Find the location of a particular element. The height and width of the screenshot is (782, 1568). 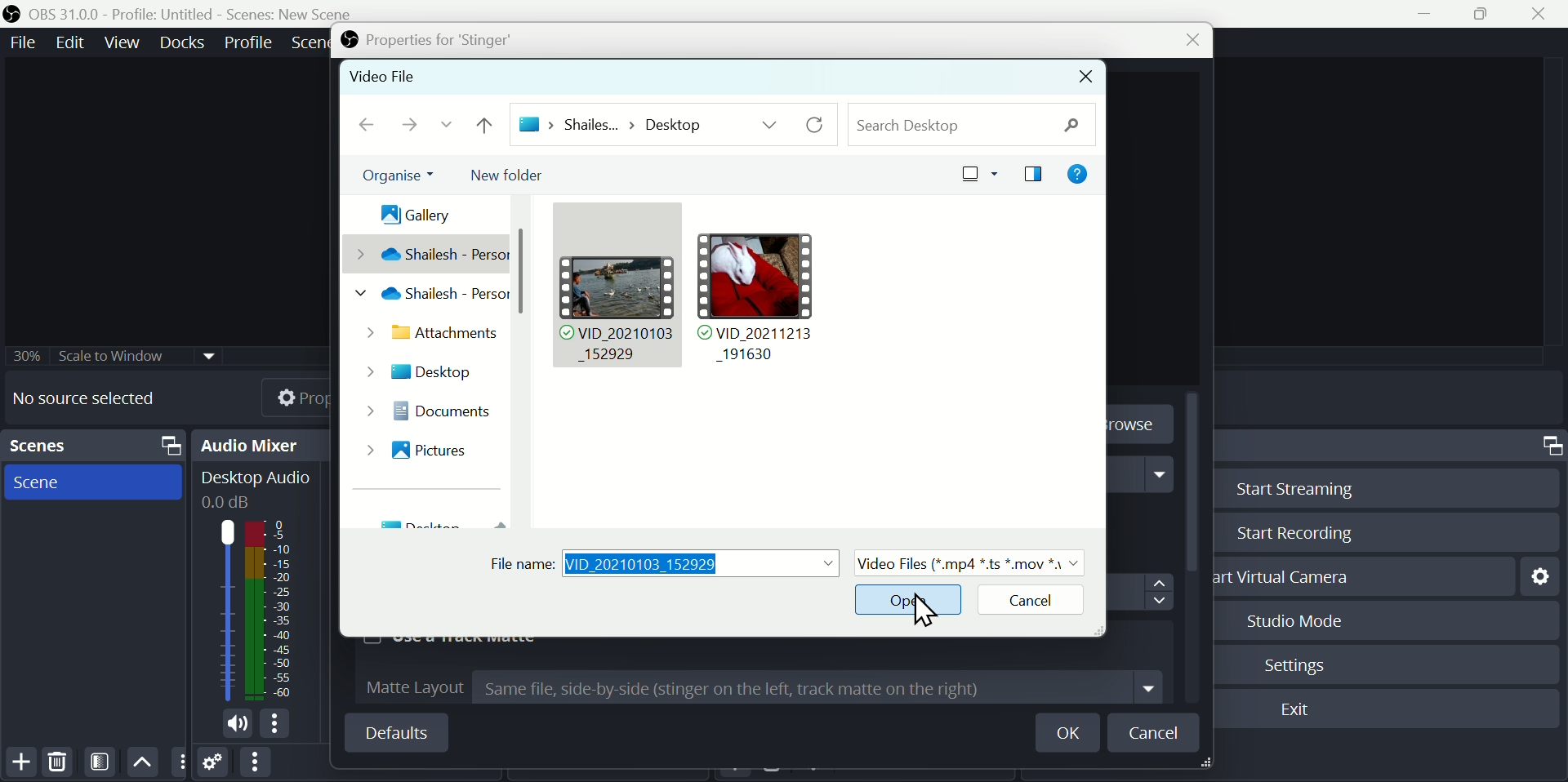

 is located at coordinates (117, 353).